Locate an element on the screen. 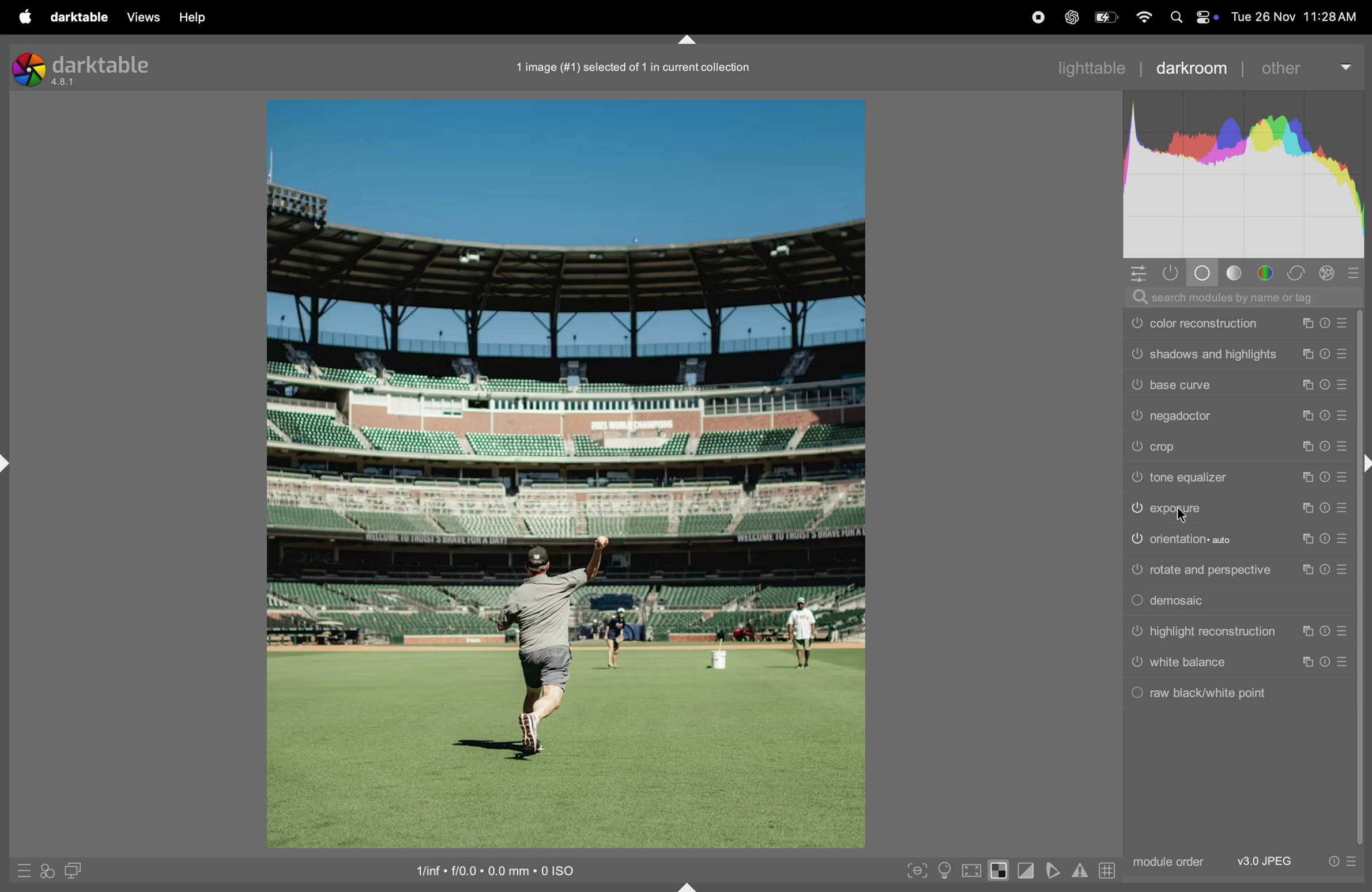 The height and width of the screenshot is (892, 1372). logo is located at coordinates (28, 70).